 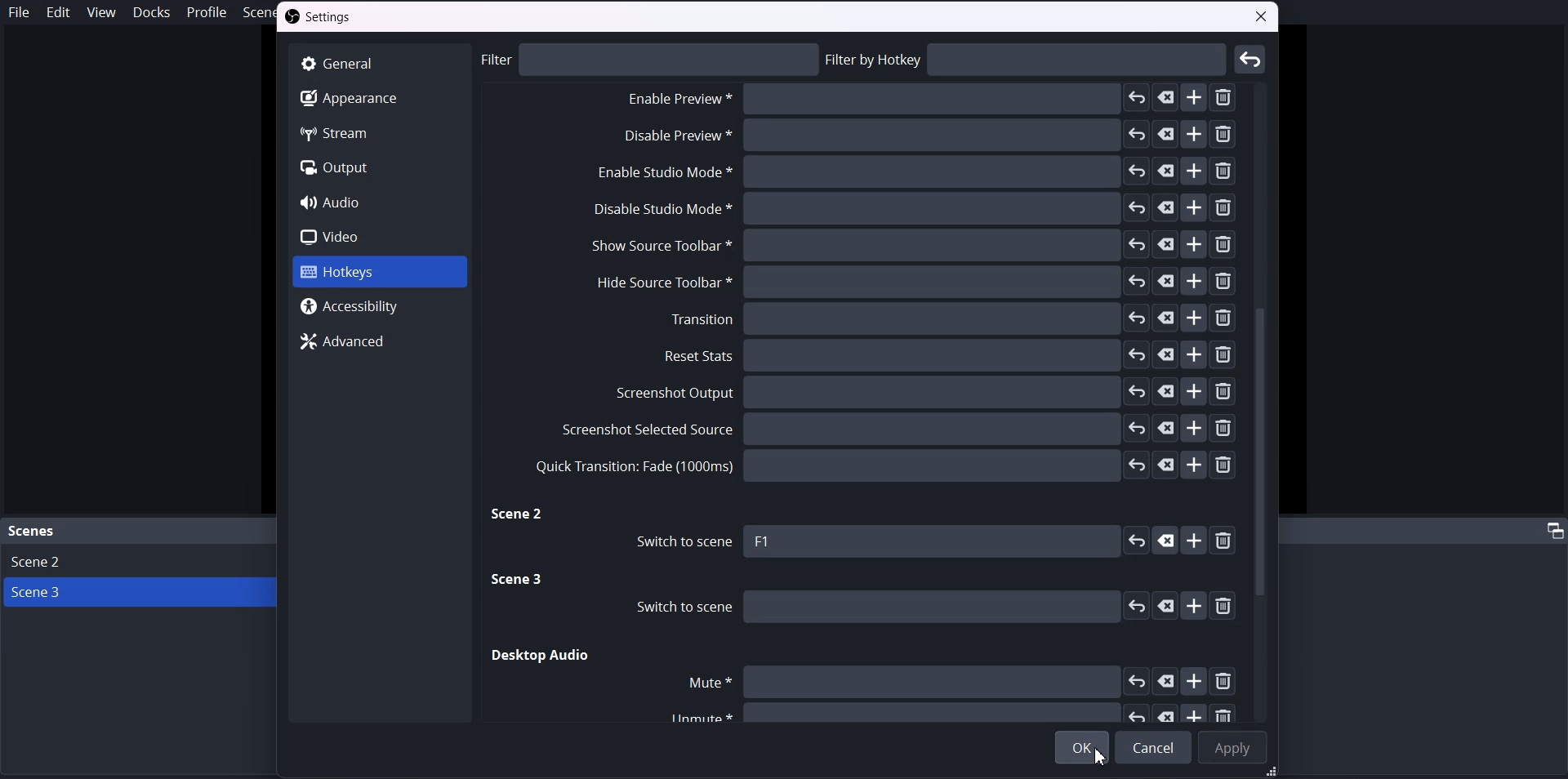 I want to click on Show source toolbar, so click(x=911, y=246).